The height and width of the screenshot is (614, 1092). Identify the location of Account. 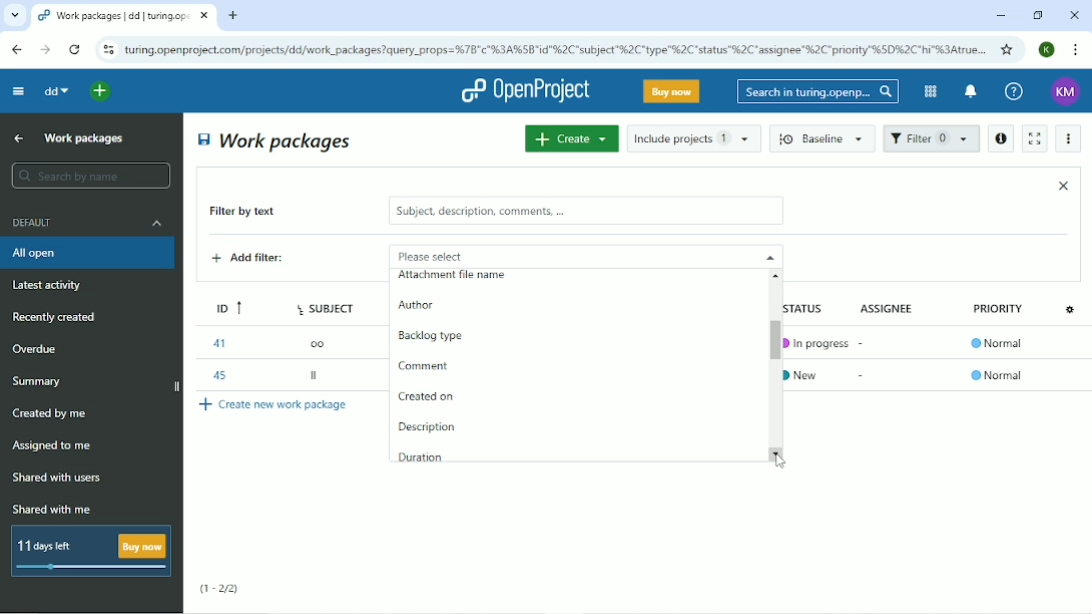
(1066, 92).